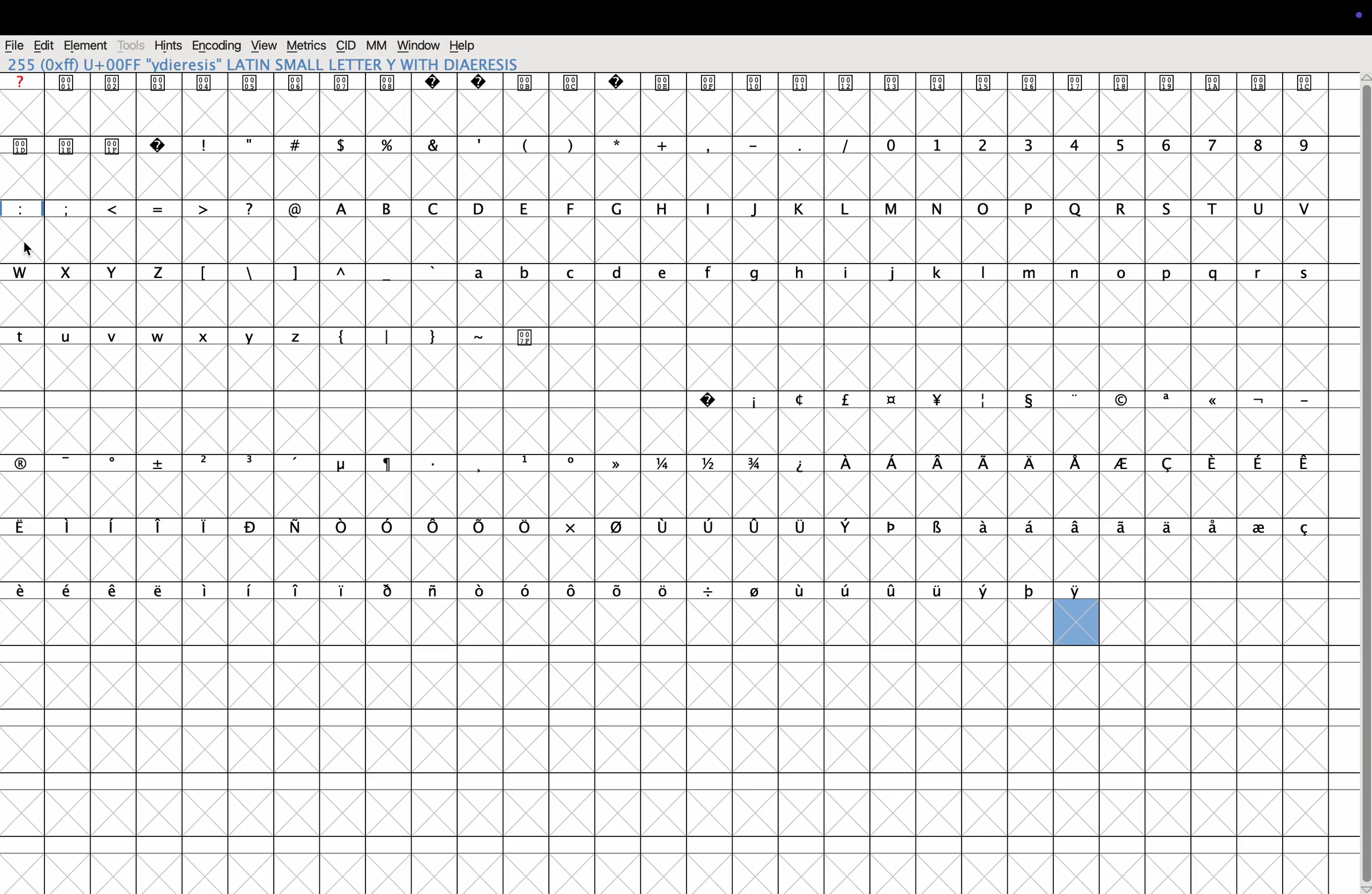 This screenshot has width=1372, height=894. I want to click on |, so click(842, 163).